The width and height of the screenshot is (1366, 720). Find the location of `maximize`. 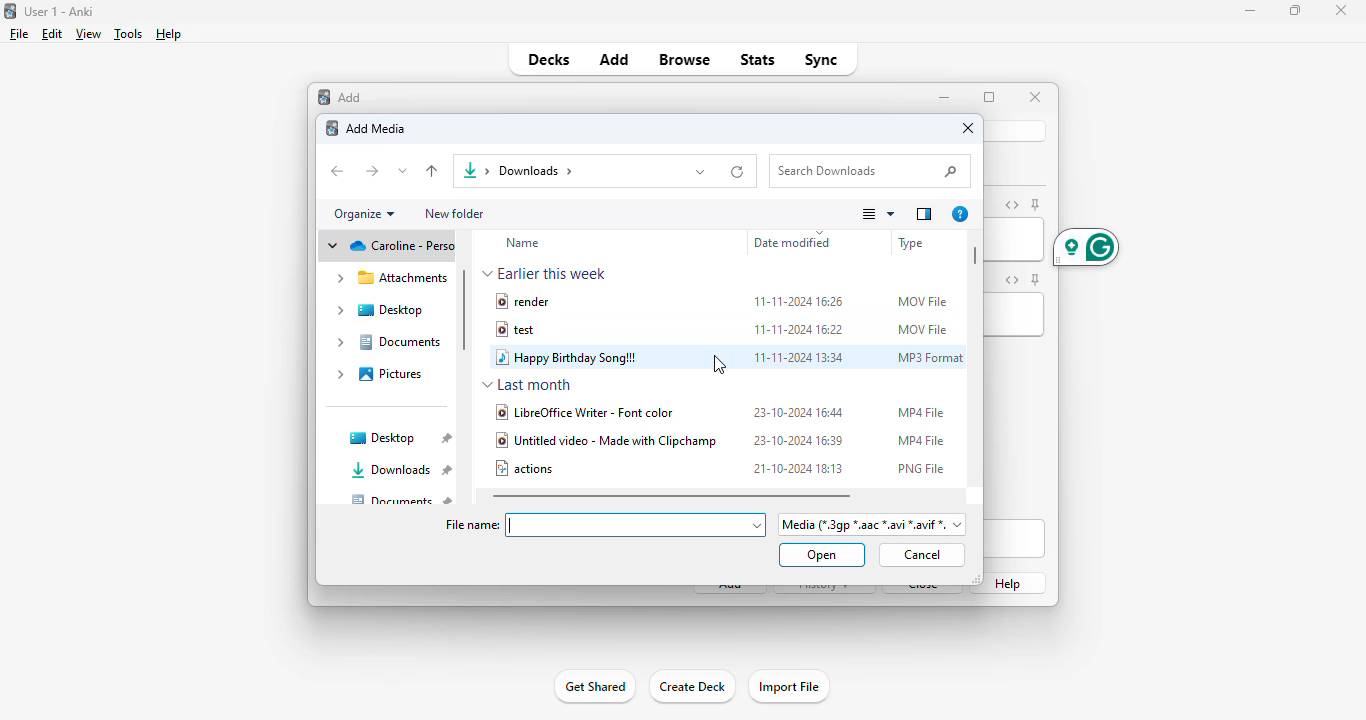

maximize is located at coordinates (989, 97).